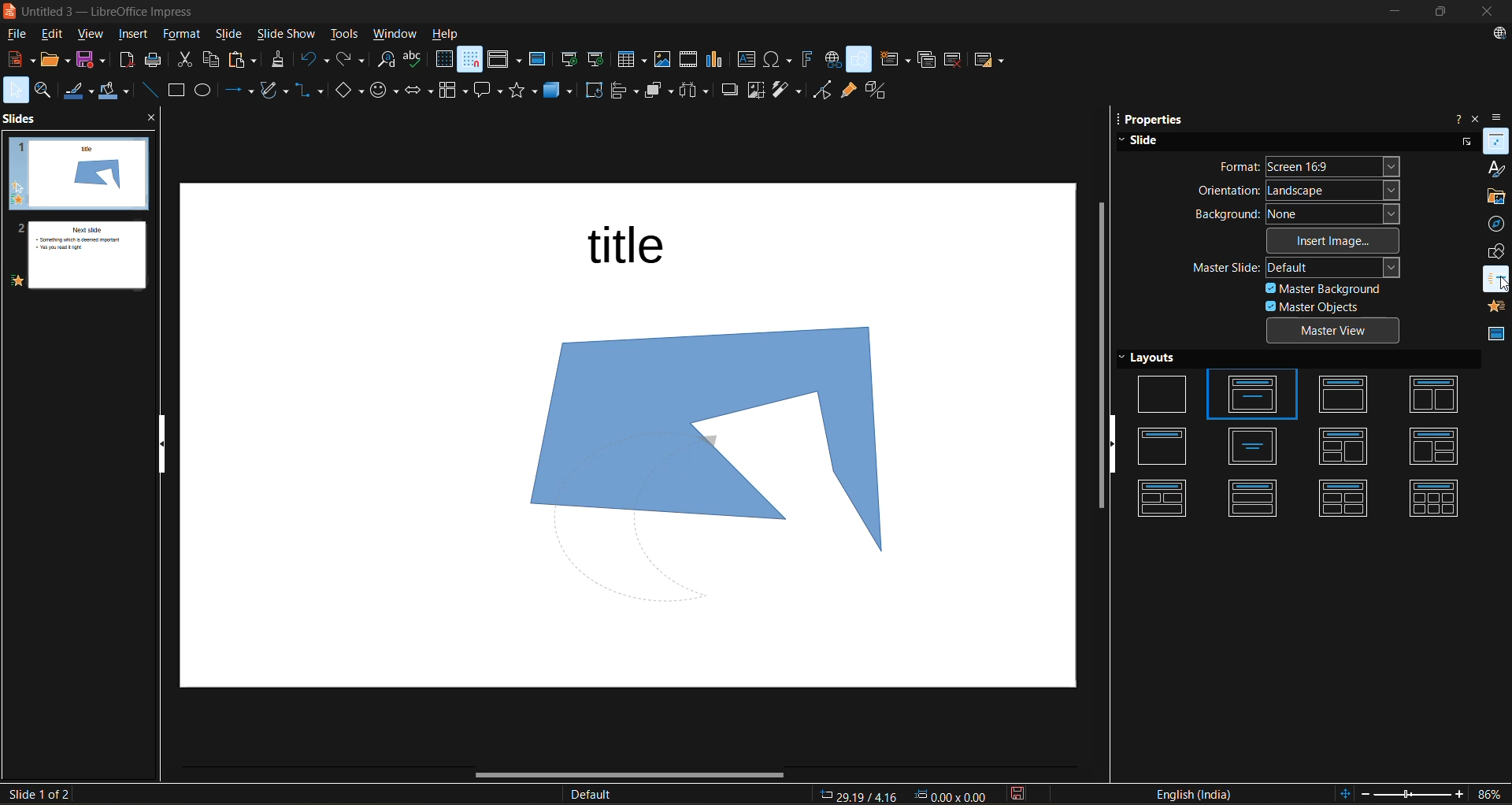 The image size is (1512, 805). I want to click on line color, so click(81, 92).